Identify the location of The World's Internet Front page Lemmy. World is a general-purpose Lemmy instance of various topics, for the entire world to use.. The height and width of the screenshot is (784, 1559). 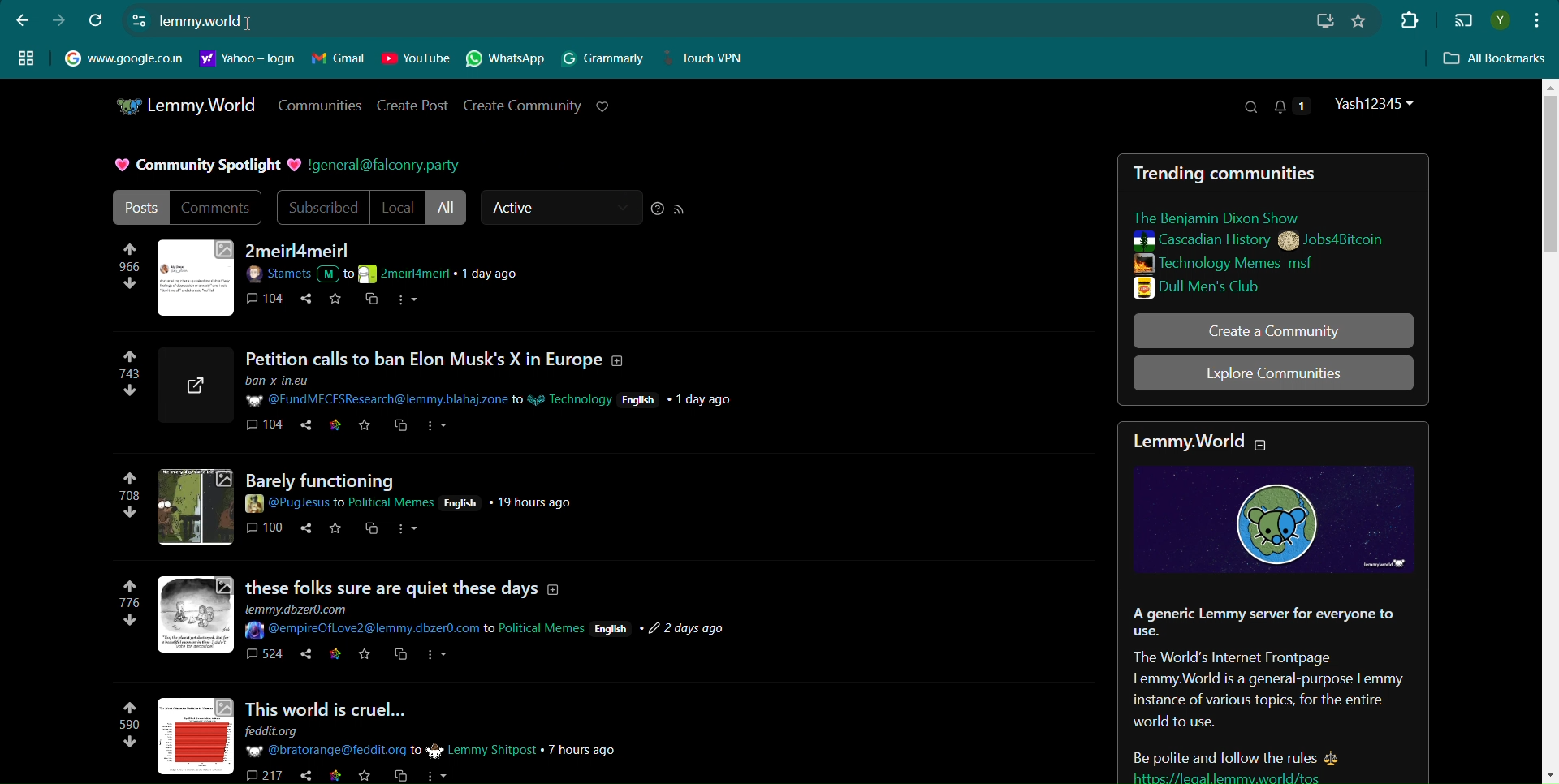
(1267, 691).